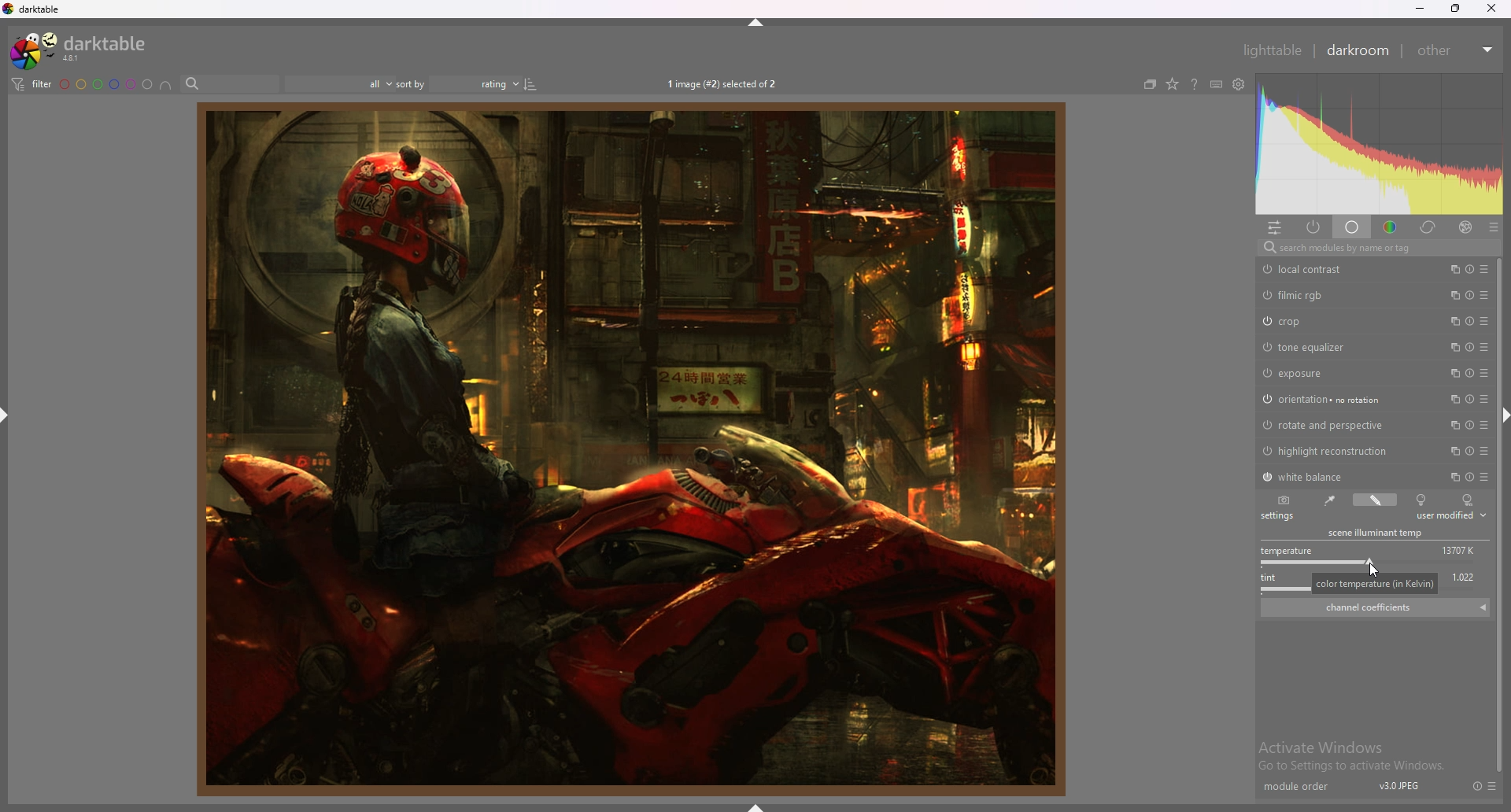  What do you see at coordinates (1313, 228) in the screenshot?
I see `show only active modules` at bounding box center [1313, 228].